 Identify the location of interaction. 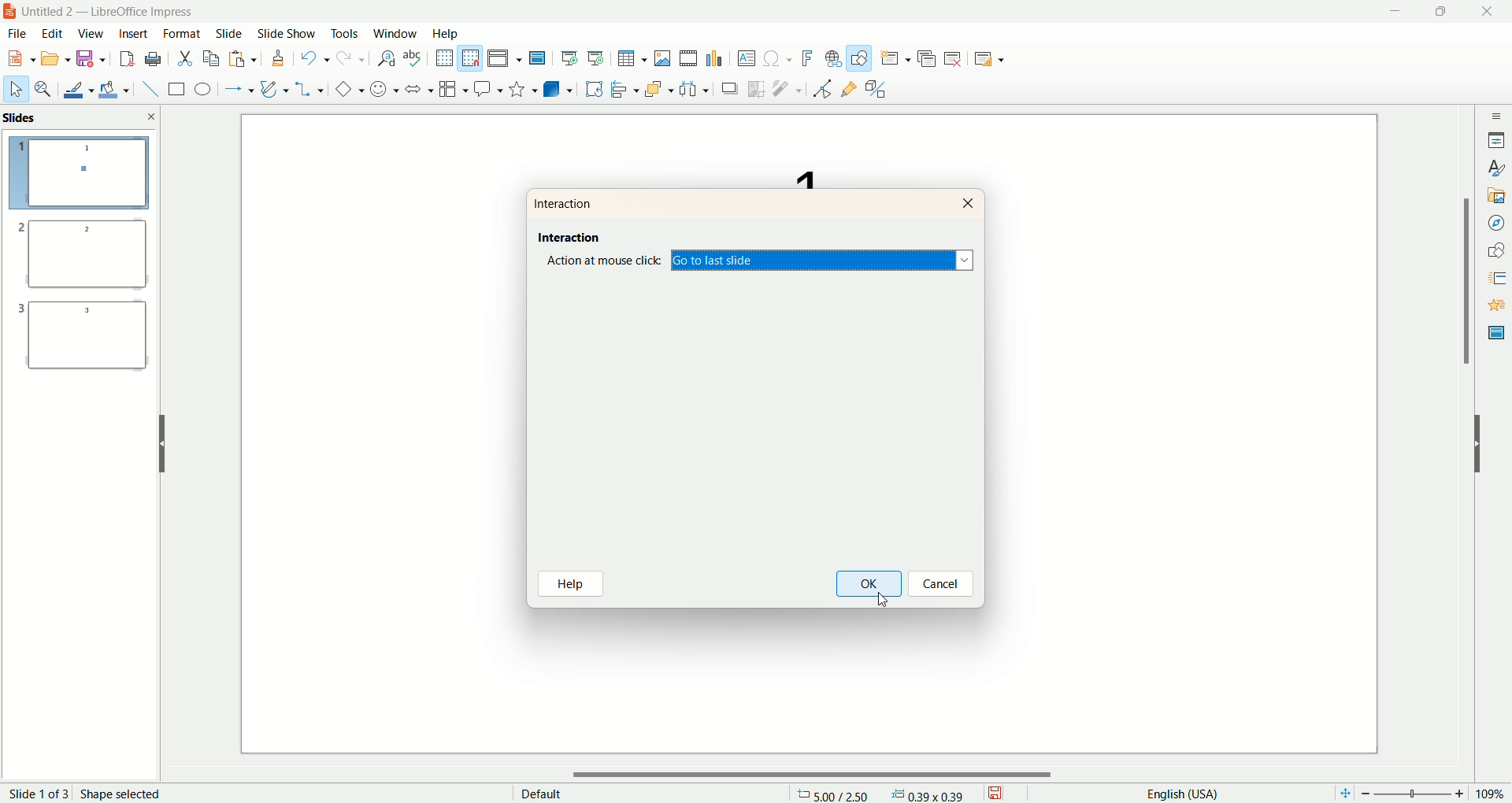
(565, 204).